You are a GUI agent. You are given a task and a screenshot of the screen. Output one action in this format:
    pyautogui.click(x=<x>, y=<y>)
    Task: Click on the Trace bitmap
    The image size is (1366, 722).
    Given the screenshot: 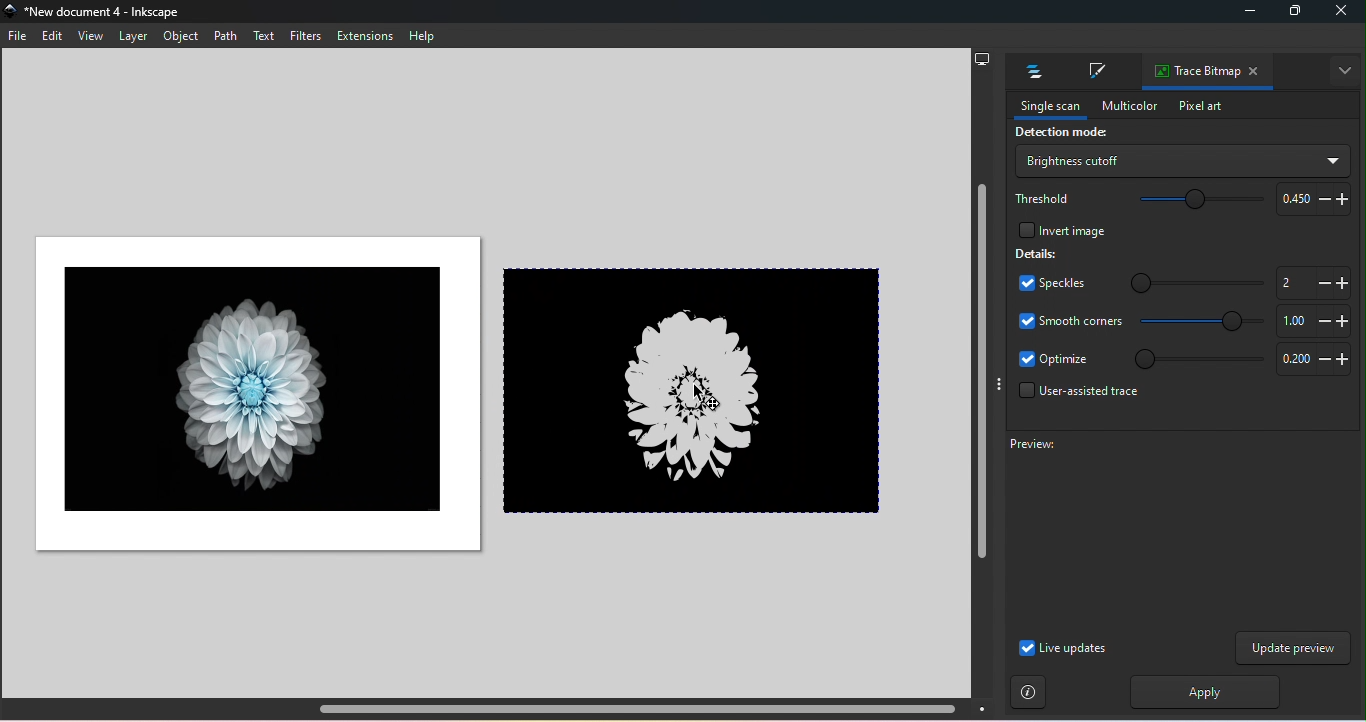 What is the action you would take?
    pyautogui.click(x=1191, y=72)
    